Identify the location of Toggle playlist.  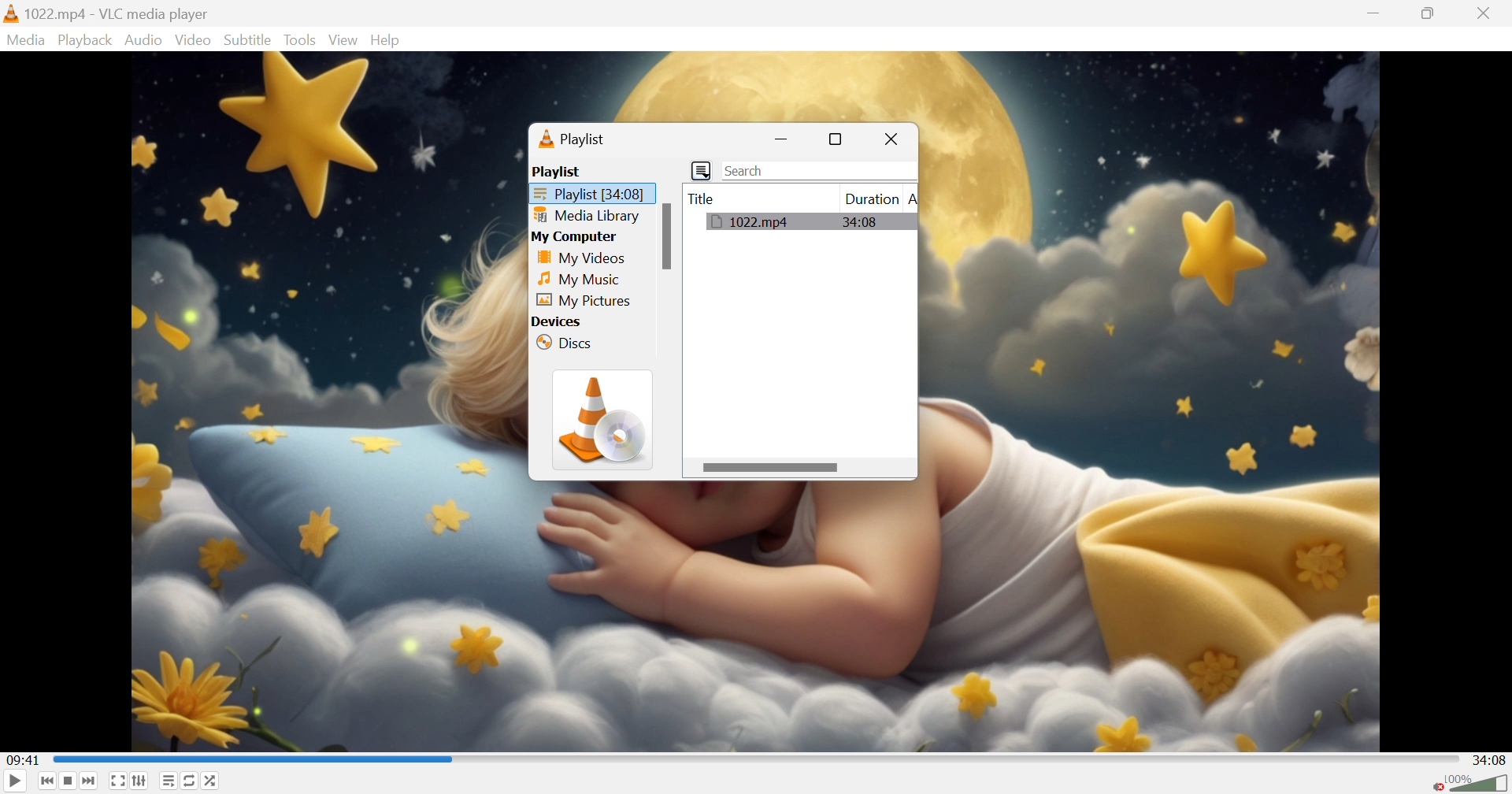
(171, 780).